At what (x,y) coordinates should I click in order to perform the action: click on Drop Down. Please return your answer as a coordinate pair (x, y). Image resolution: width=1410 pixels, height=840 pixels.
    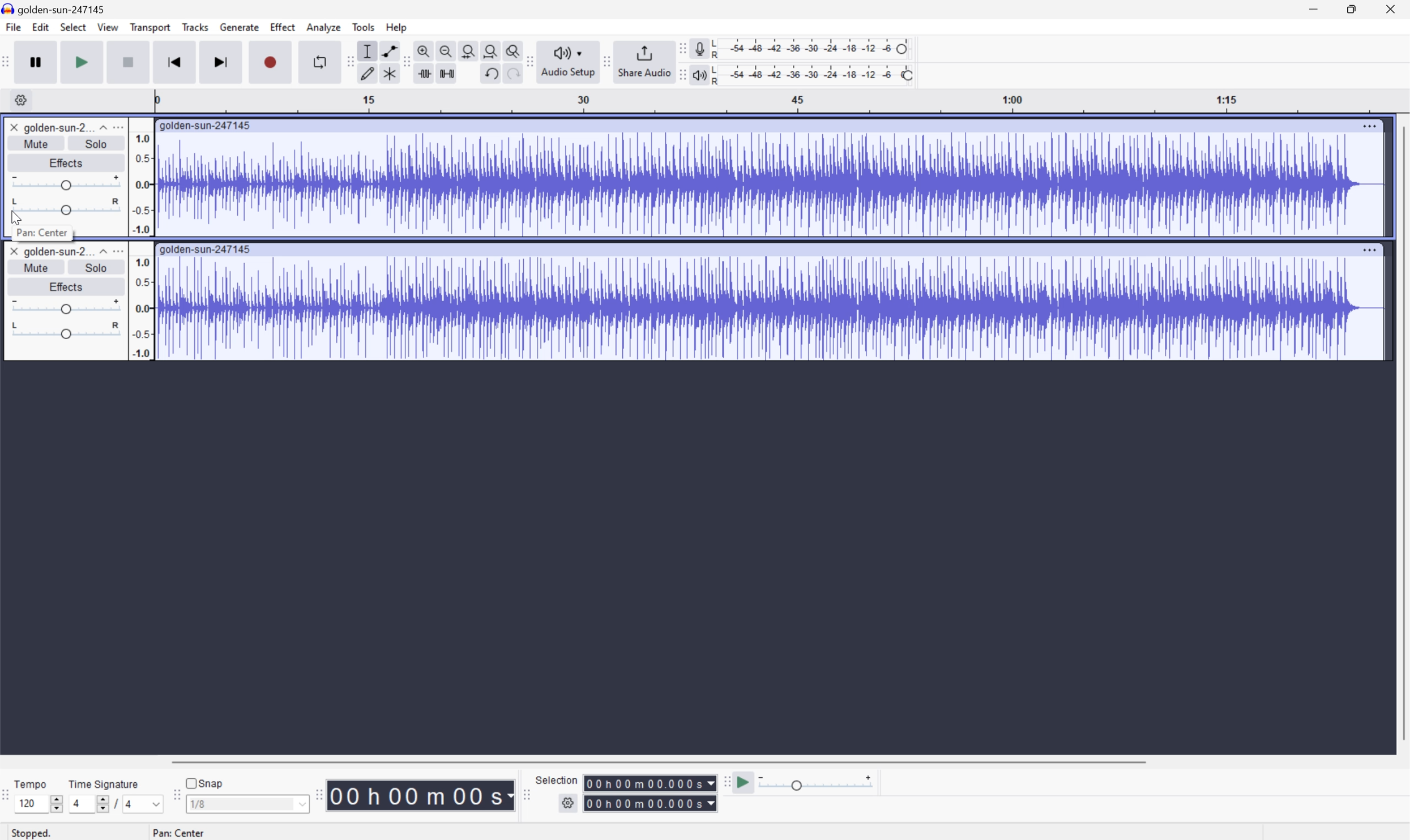
    Looking at the image, I should click on (101, 127).